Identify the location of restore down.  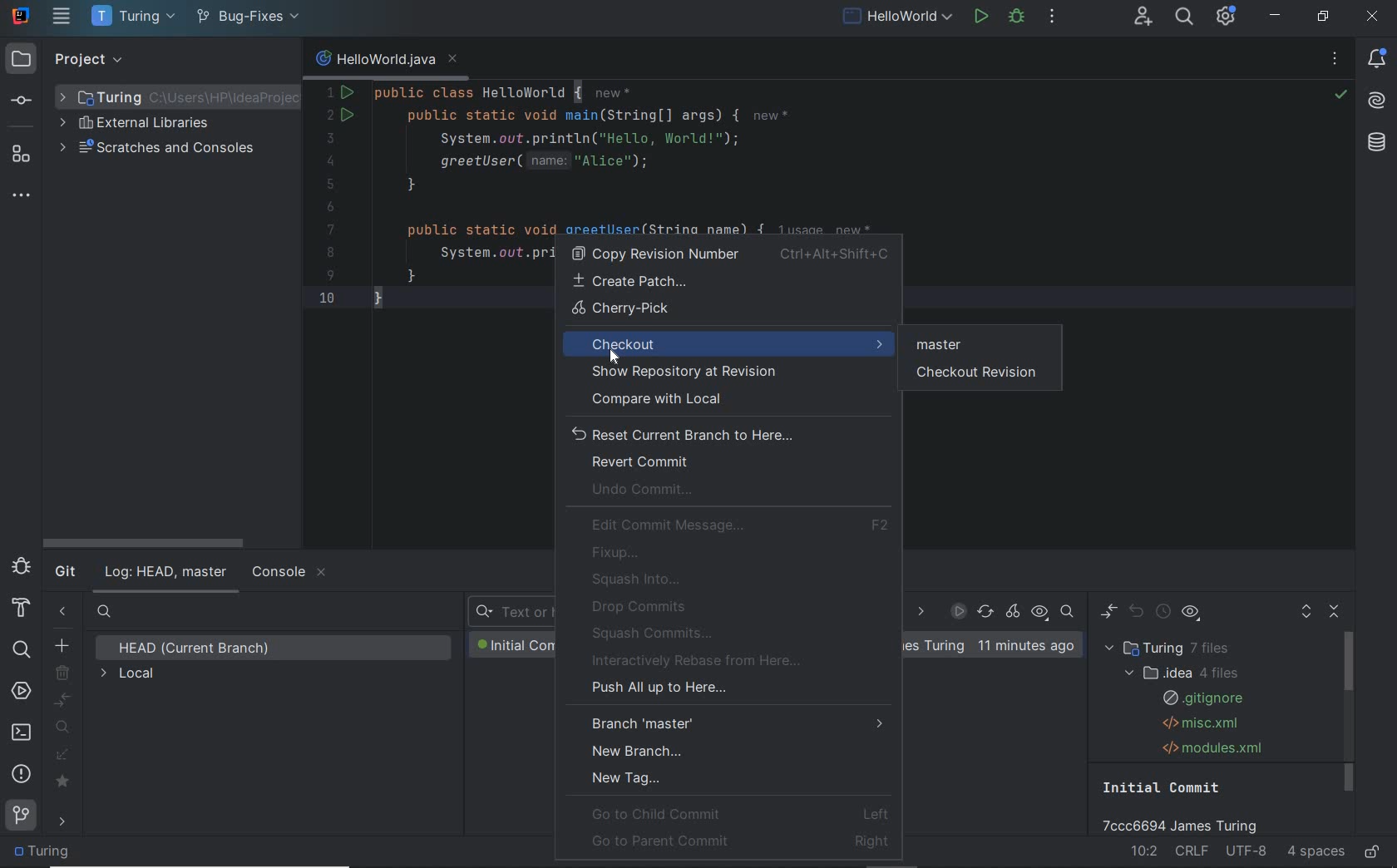
(1324, 17).